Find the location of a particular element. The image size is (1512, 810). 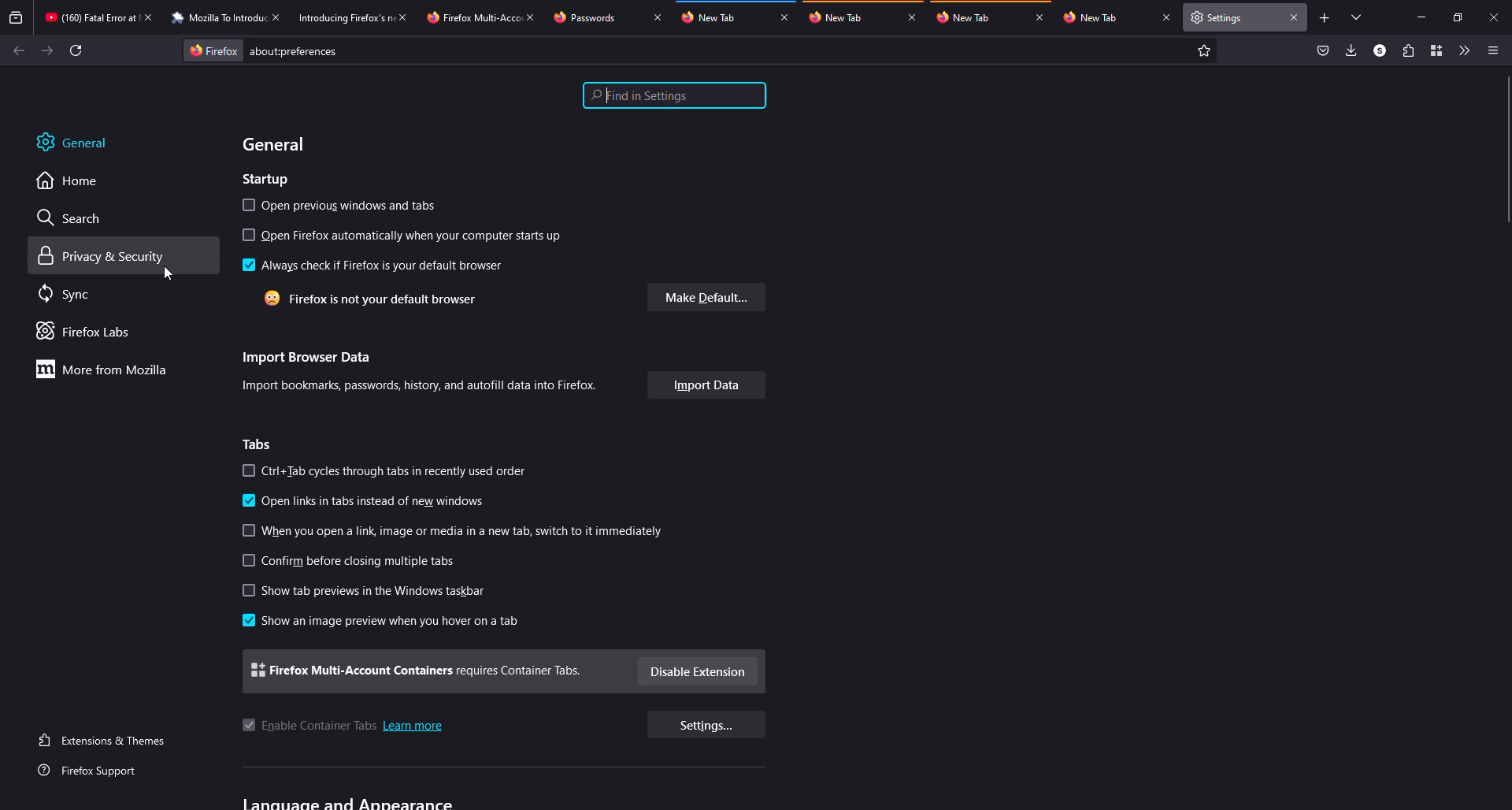

tab is located at coordinates (839, 17).